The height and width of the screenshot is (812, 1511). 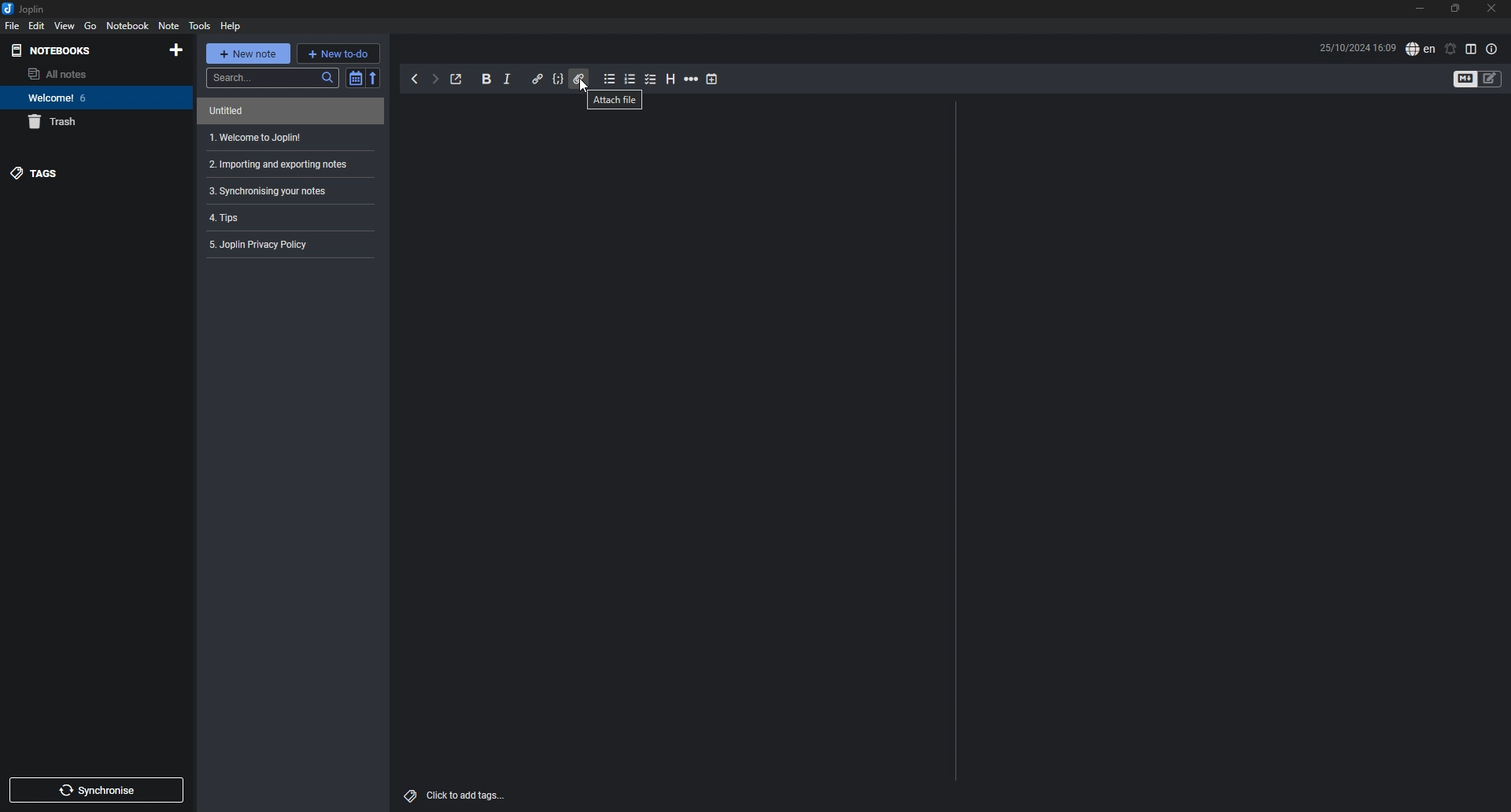 What do you see at coordinates (487, 79) in the screenshot?
I see `bold` at bounding box center [487, 79].